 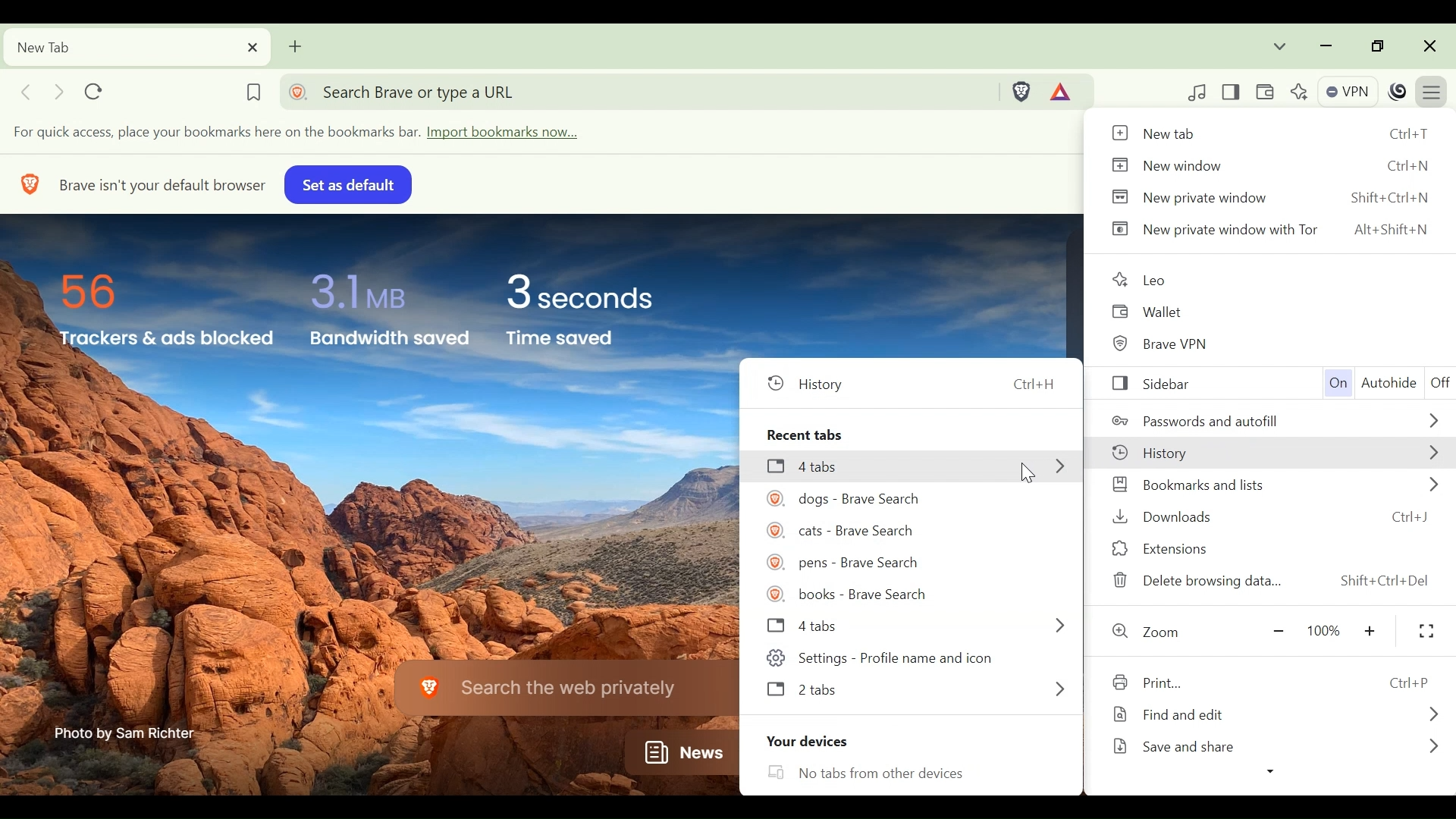 I want to click on VPN, so click(x=1346, y=89).